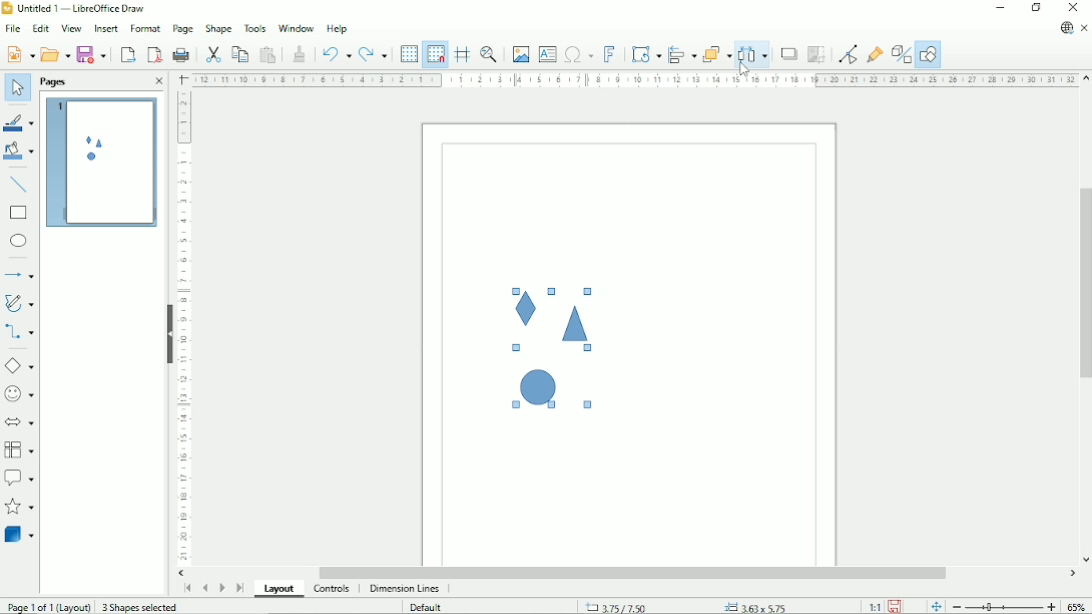 The image size is (1092, 614). Describe the element at coordinates (1083, 282) in the screenshot. I see `Vertical scrollbar` at that location.